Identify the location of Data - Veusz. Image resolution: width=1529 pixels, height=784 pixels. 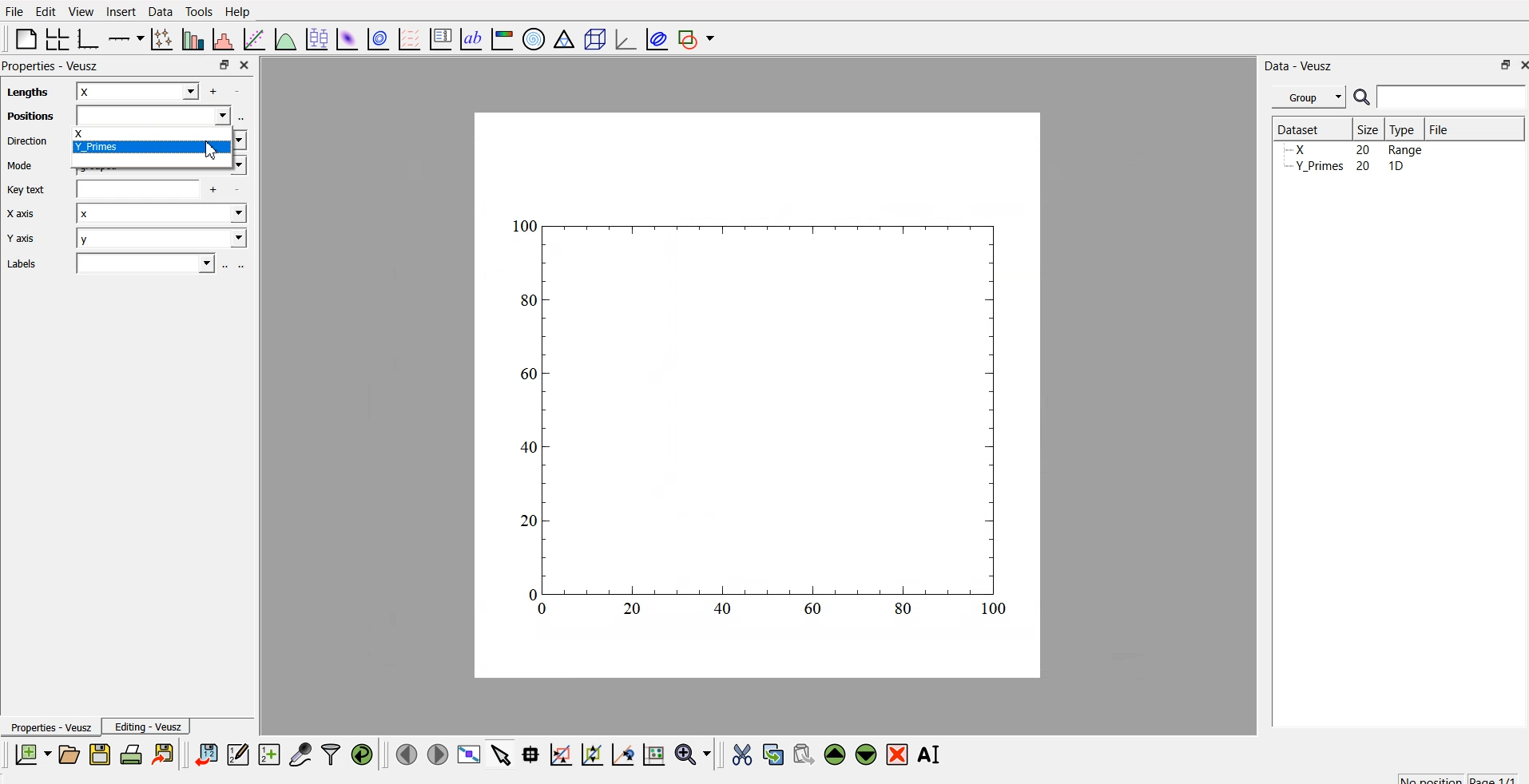
(1301, 63).